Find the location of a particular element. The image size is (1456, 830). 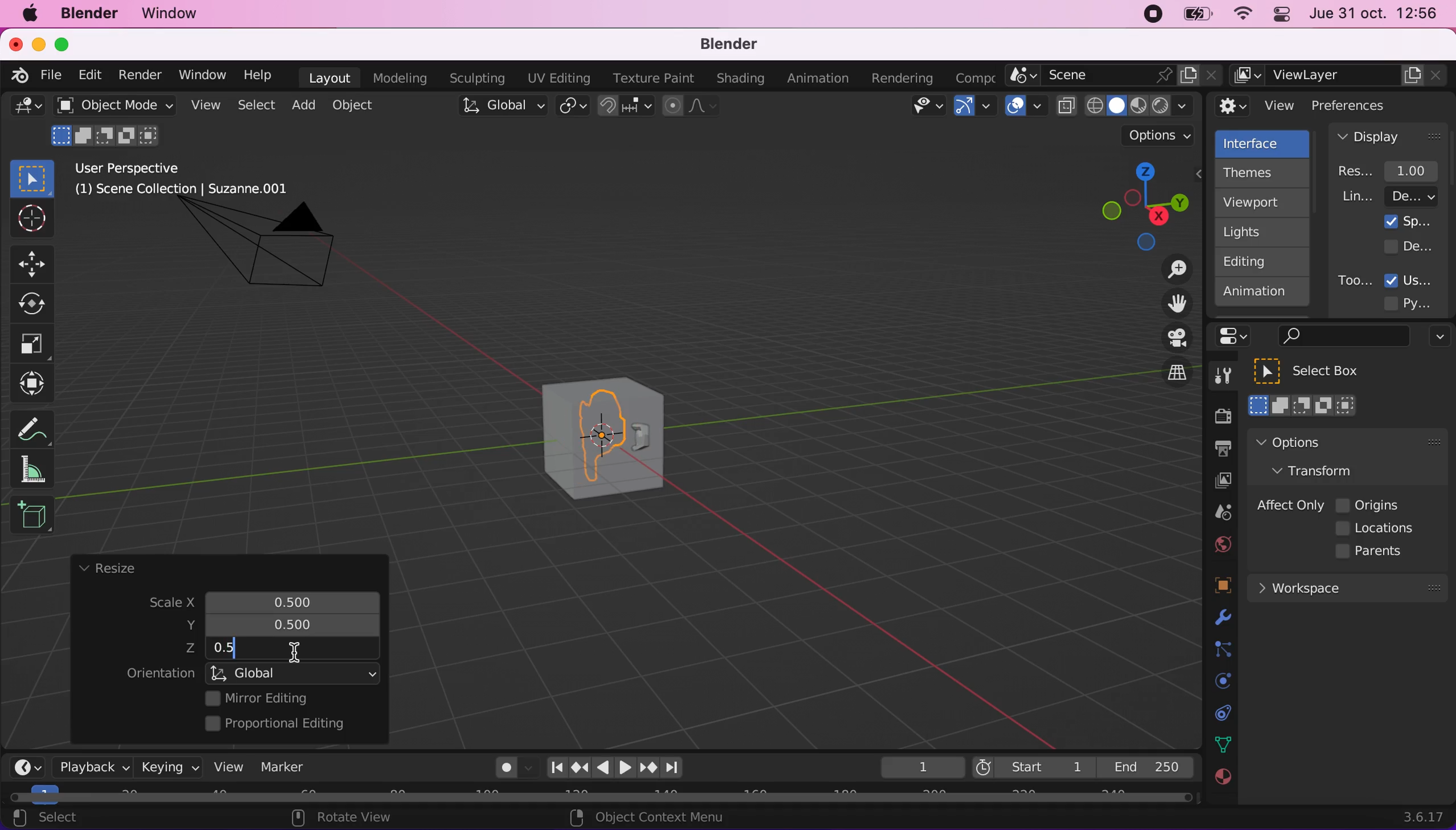

minimize is located at coordinates (36, 43).